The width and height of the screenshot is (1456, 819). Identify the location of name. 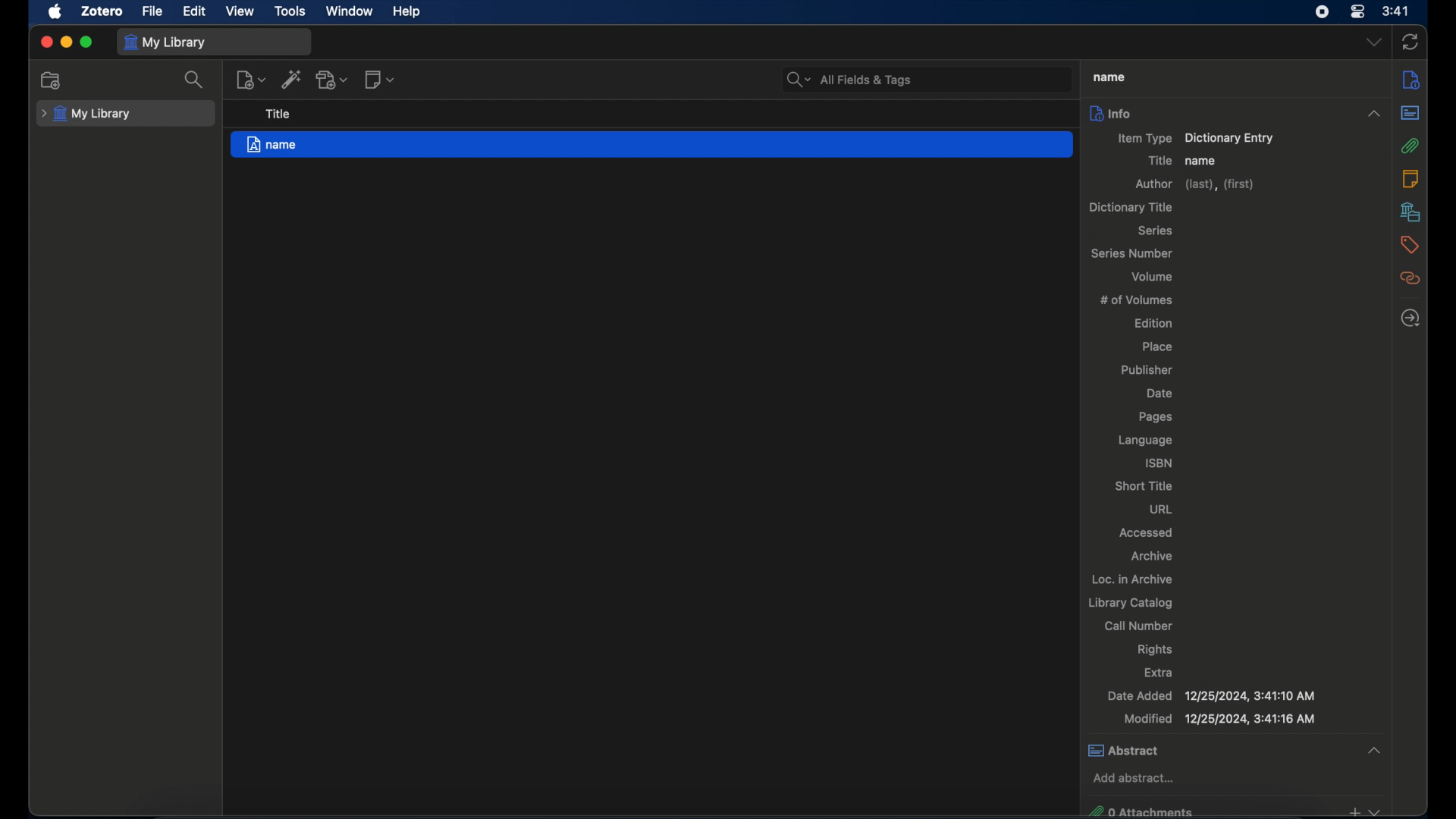
(1201, 161).